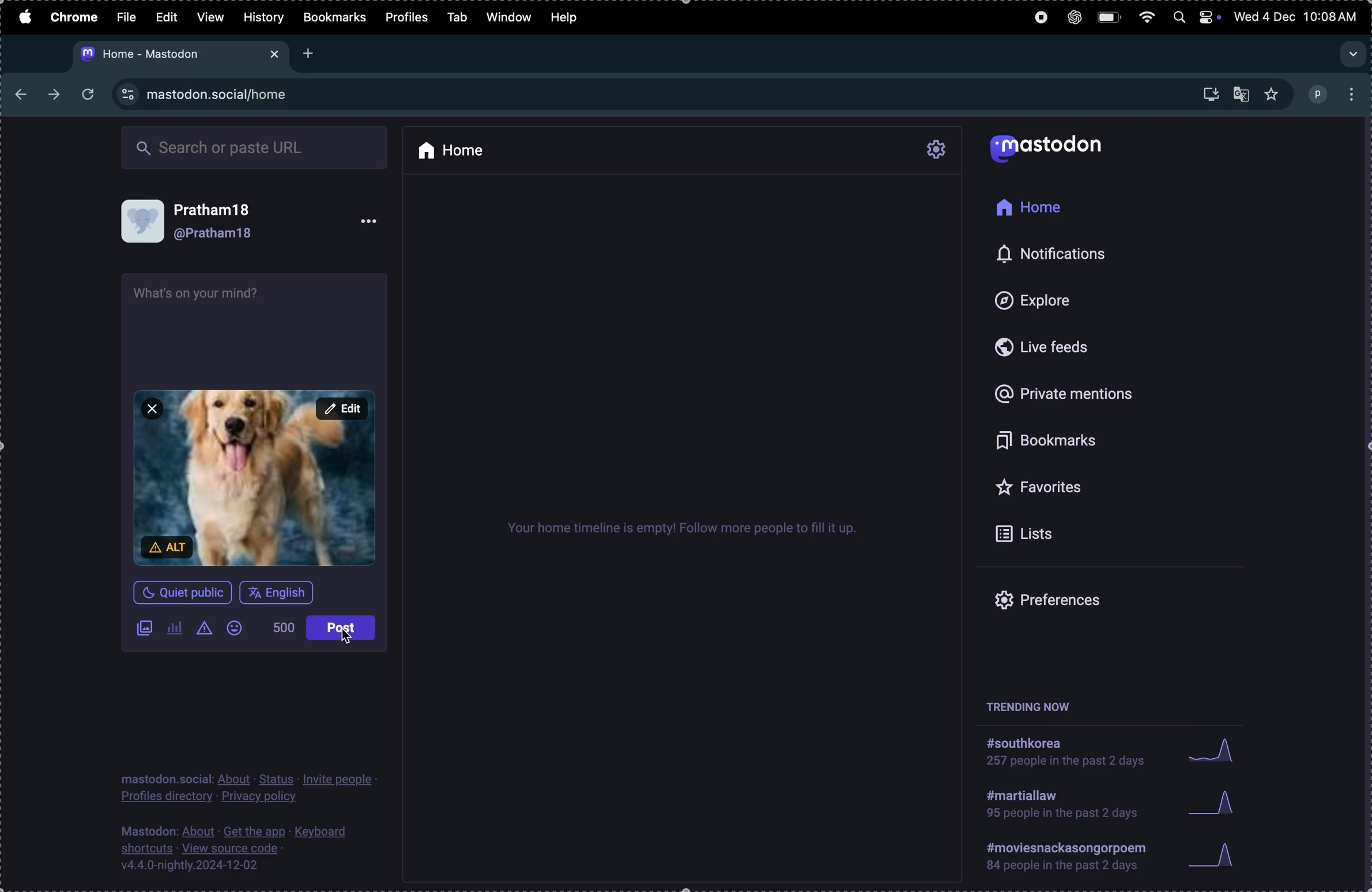  Describe the element at coordinates (144, 629) in the screenshot. I see `Images` at that location.